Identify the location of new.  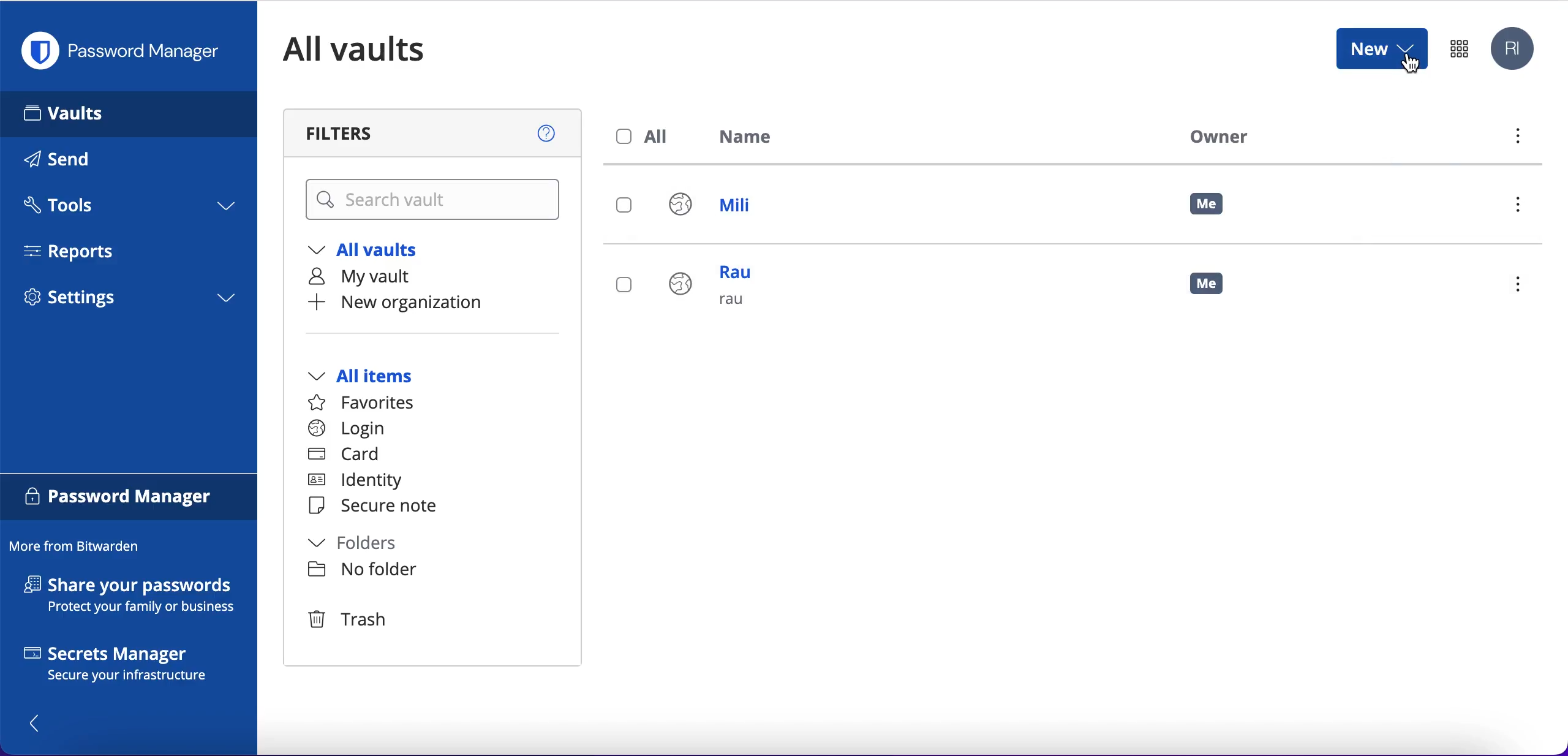
(1381, 48).